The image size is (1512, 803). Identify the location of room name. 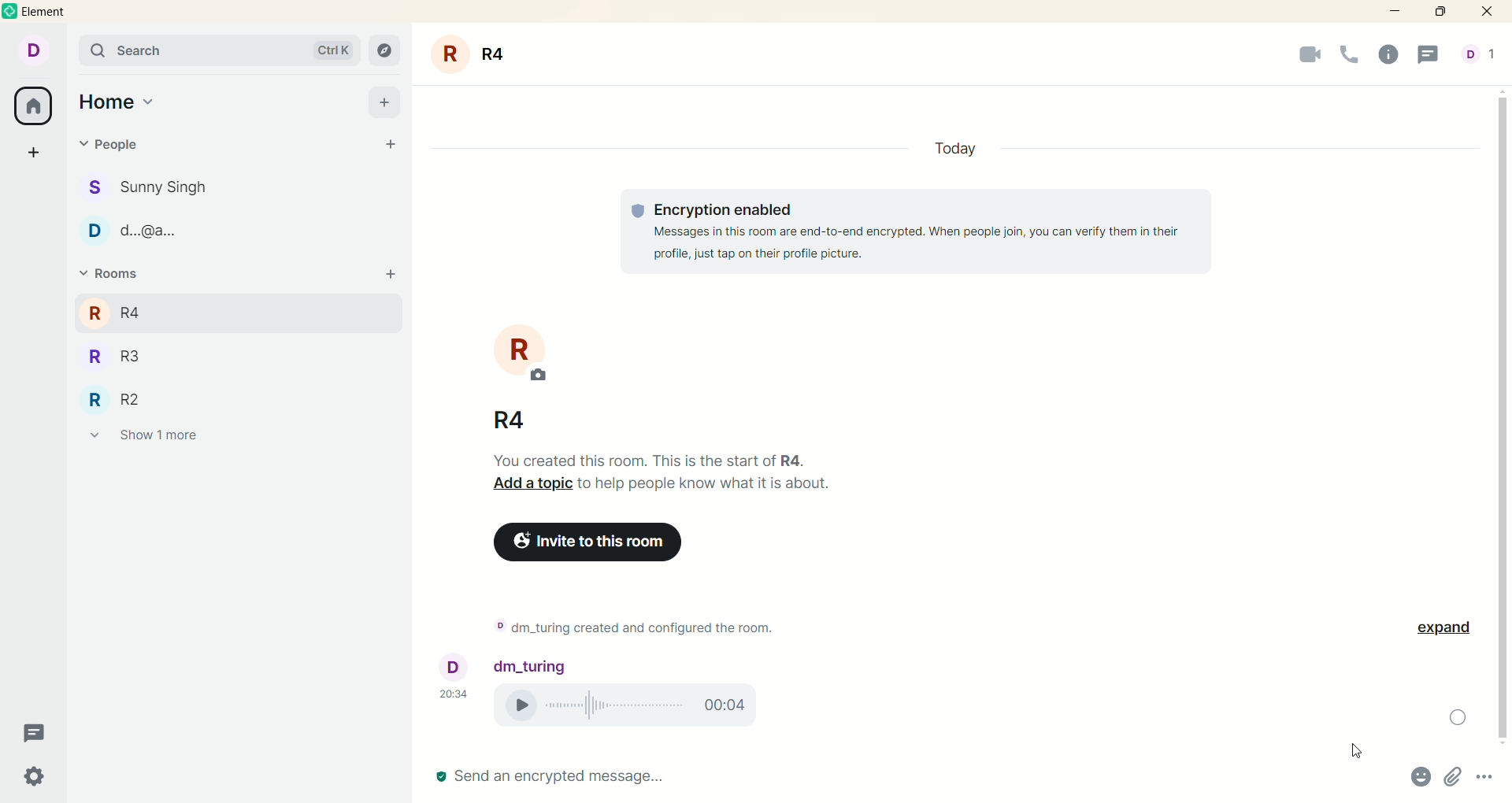
(518, 416).